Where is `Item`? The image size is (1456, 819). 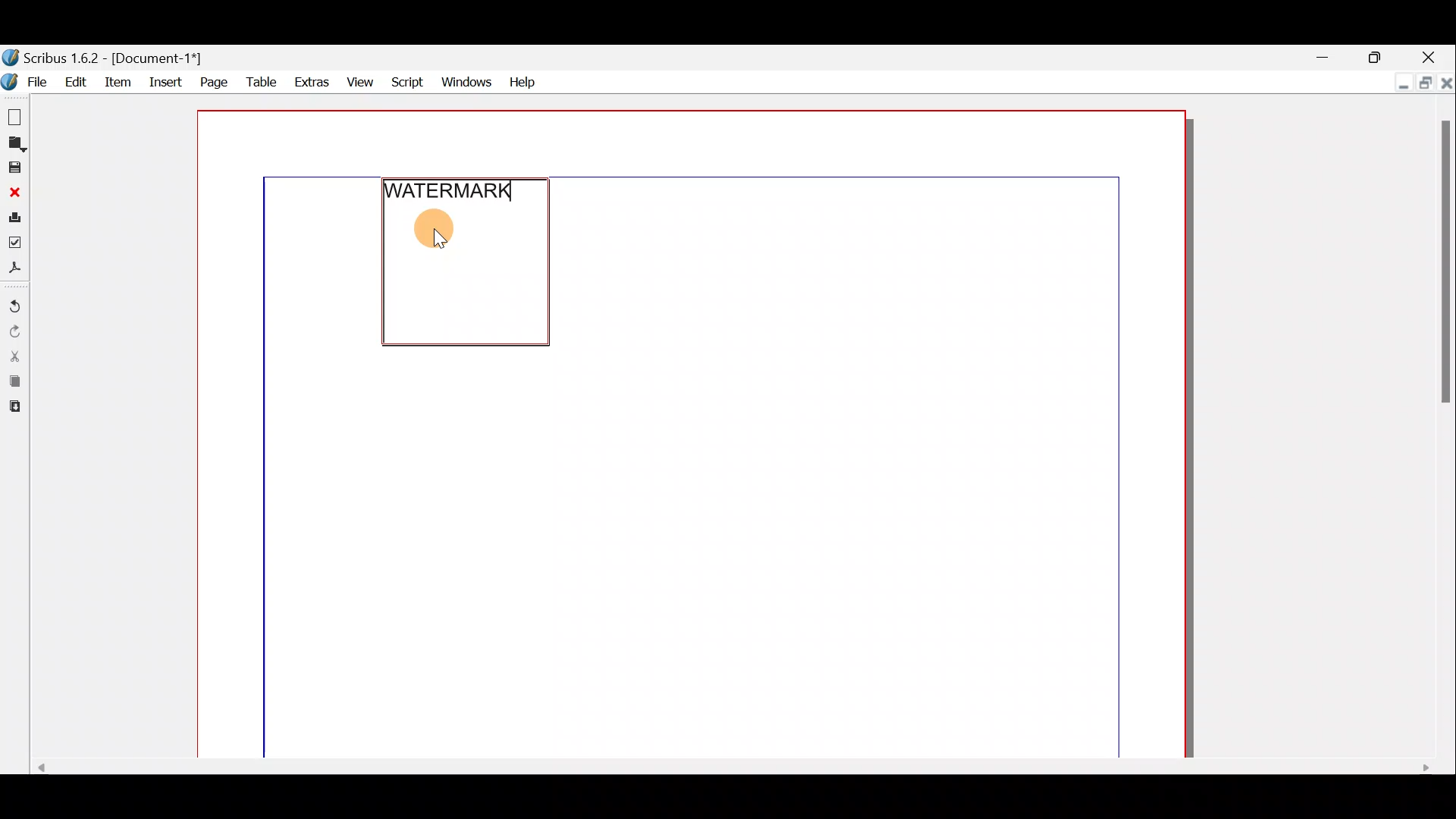 Item is located at coordinates (121, 81).